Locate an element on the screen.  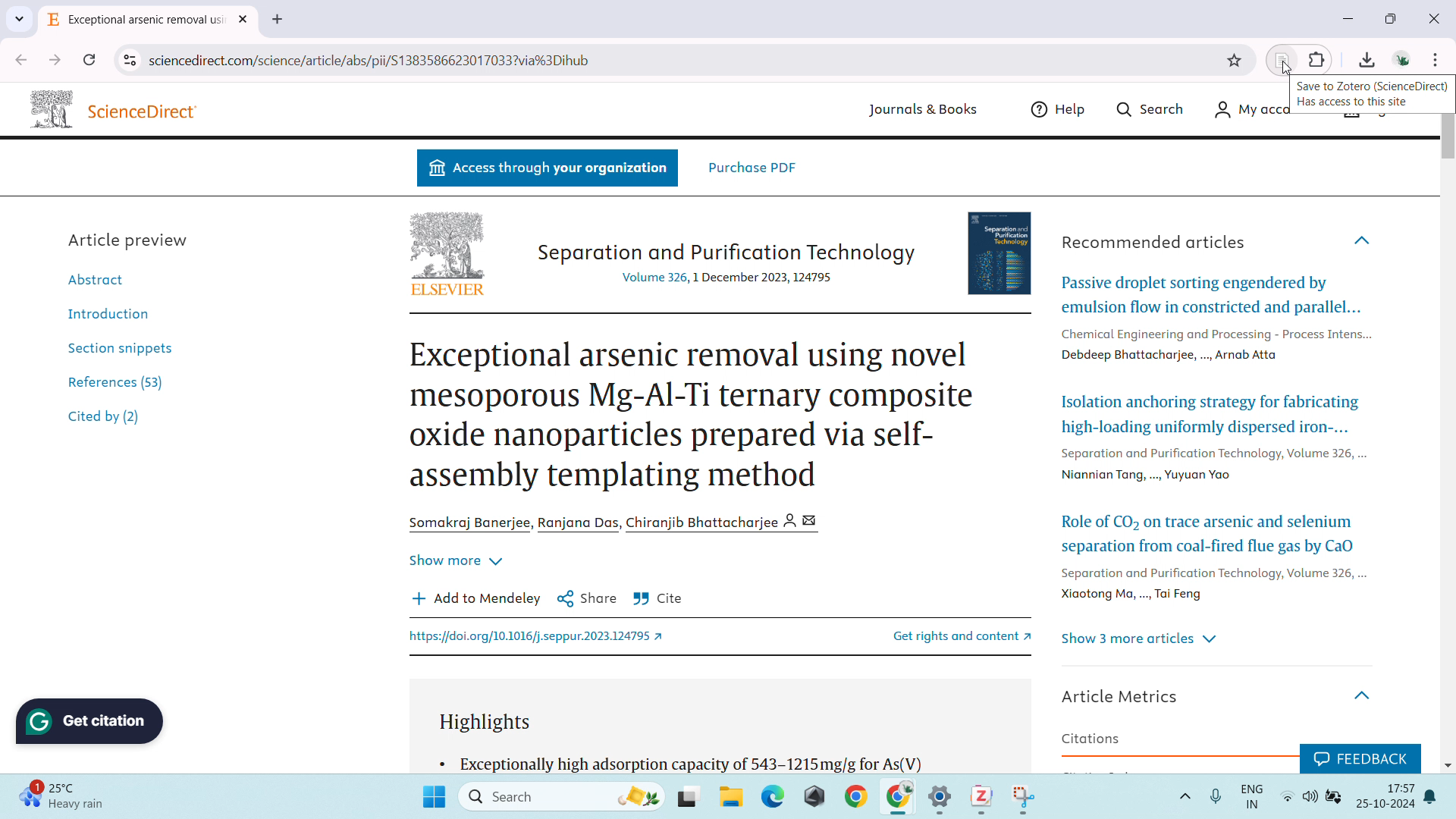
relload this page is located at coordinates (89, 60).